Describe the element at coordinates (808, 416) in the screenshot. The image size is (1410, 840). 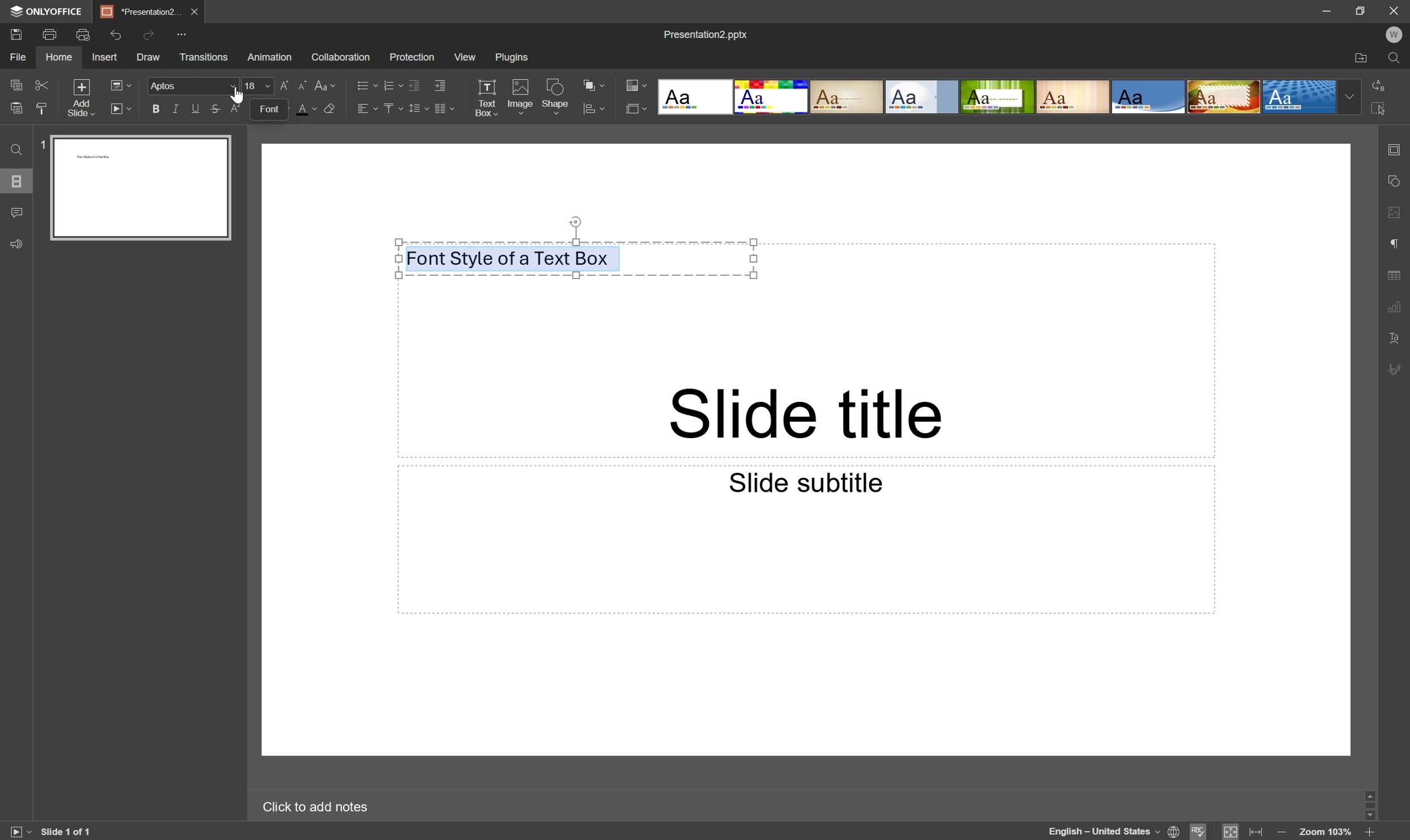
I see `Slide title` at that location.